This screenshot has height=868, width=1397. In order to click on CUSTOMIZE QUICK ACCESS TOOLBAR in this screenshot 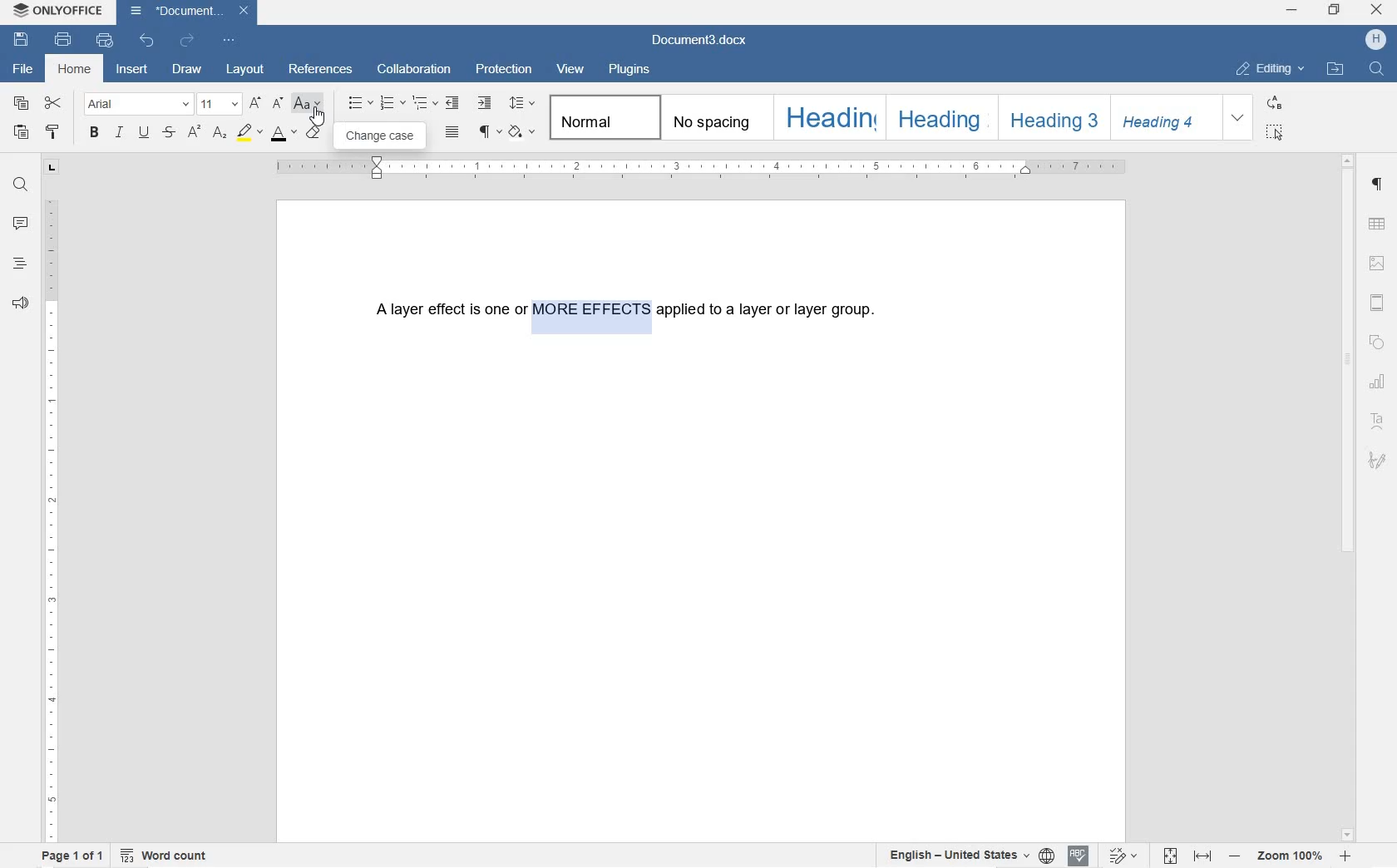, I will do `click(230, 42)`.